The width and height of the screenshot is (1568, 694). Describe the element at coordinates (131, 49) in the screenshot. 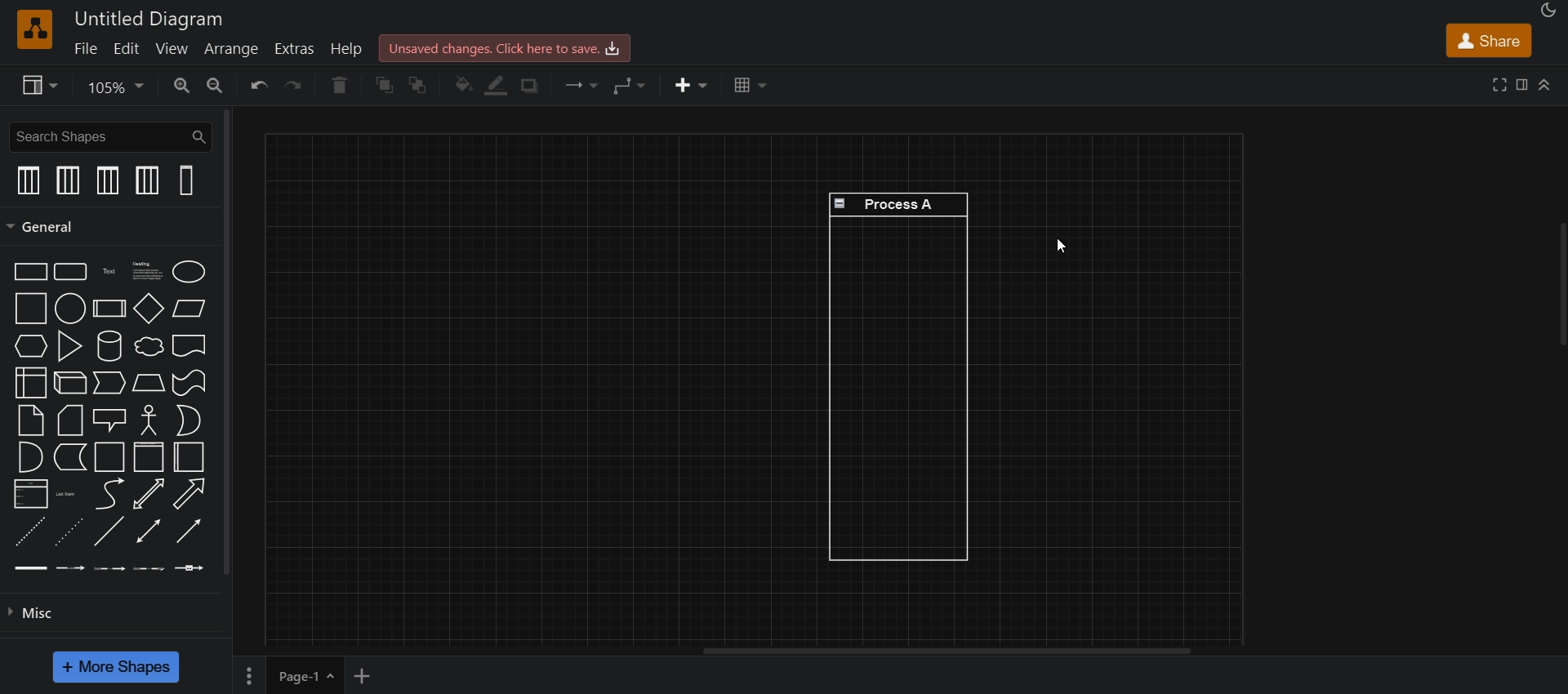

I see `edit` at that location.